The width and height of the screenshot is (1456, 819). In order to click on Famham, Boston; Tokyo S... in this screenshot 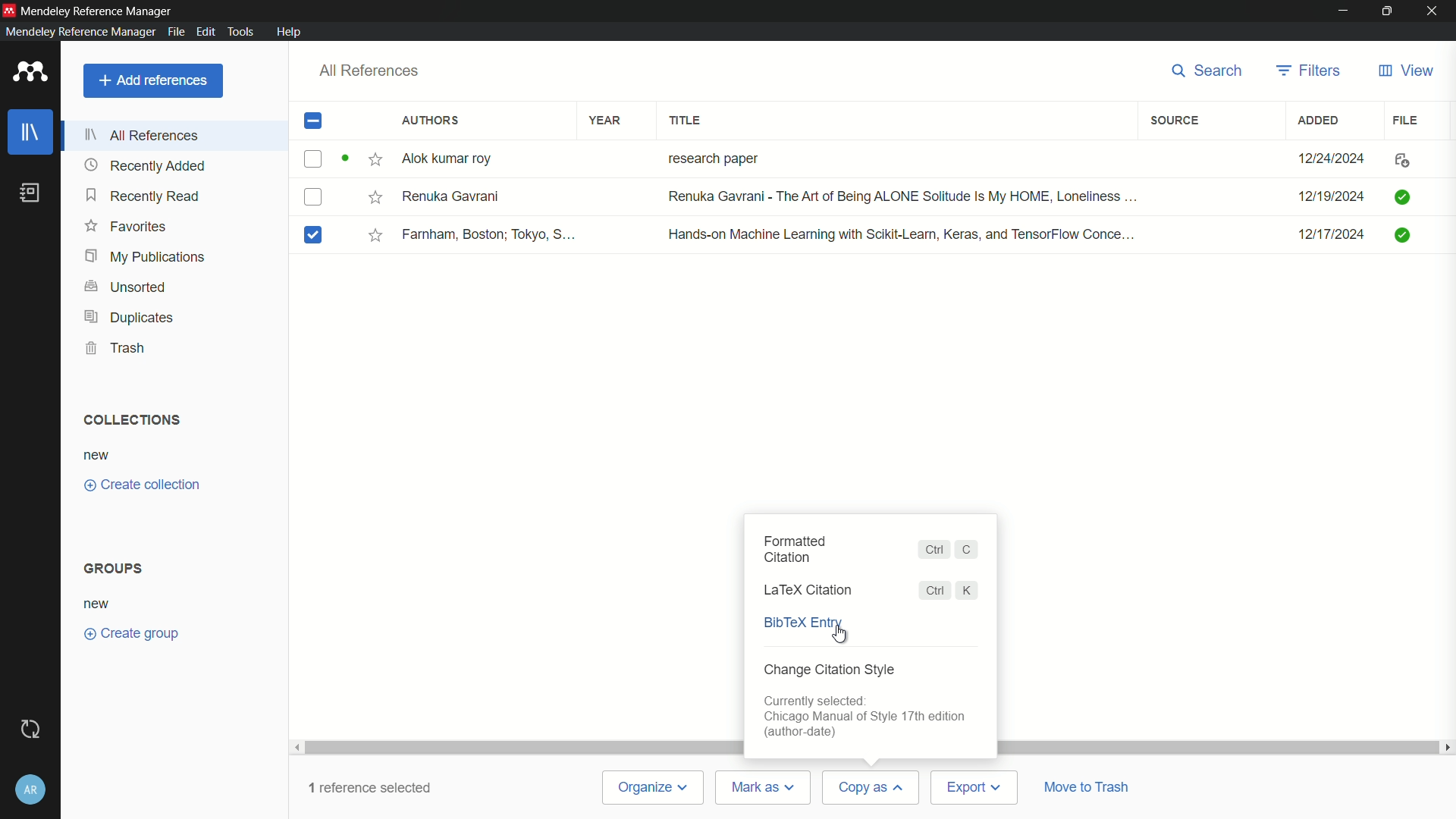, I will do `click(492, 234)`.